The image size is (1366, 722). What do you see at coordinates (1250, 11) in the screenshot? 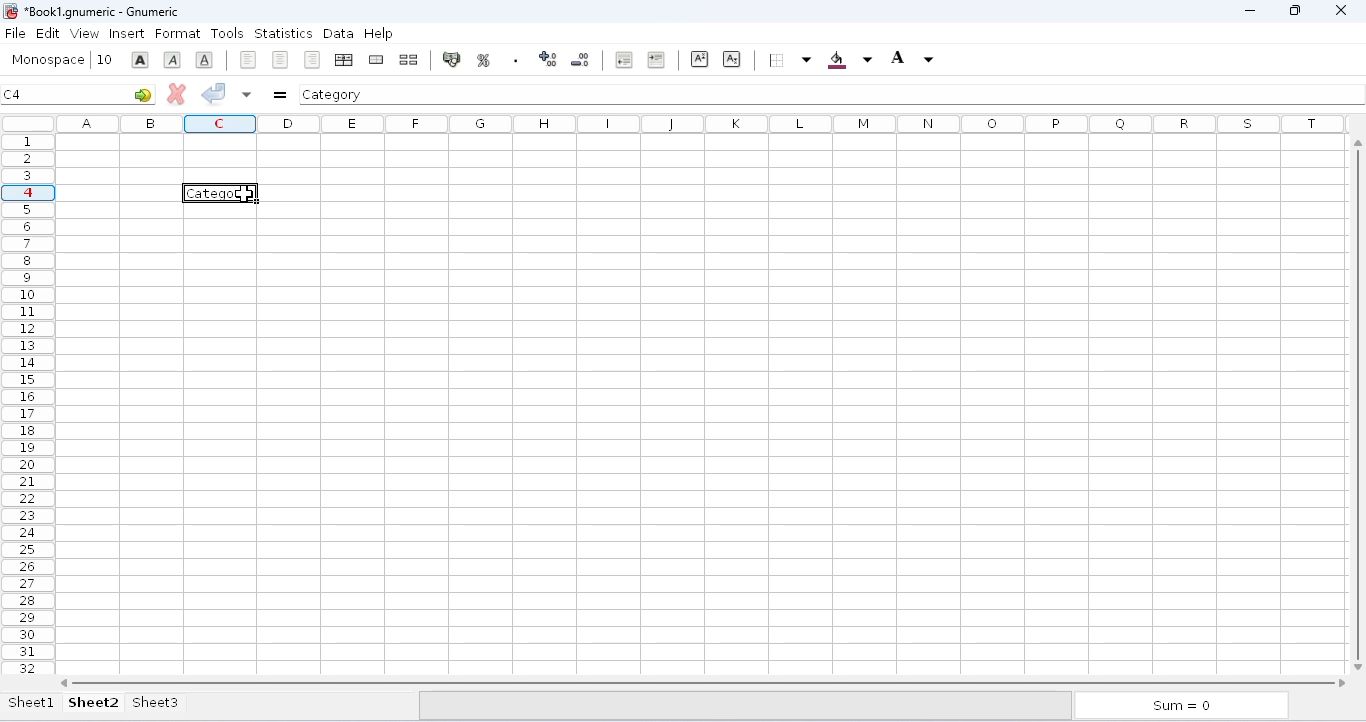
I see `minimize` at bounding box center [1250, 11].